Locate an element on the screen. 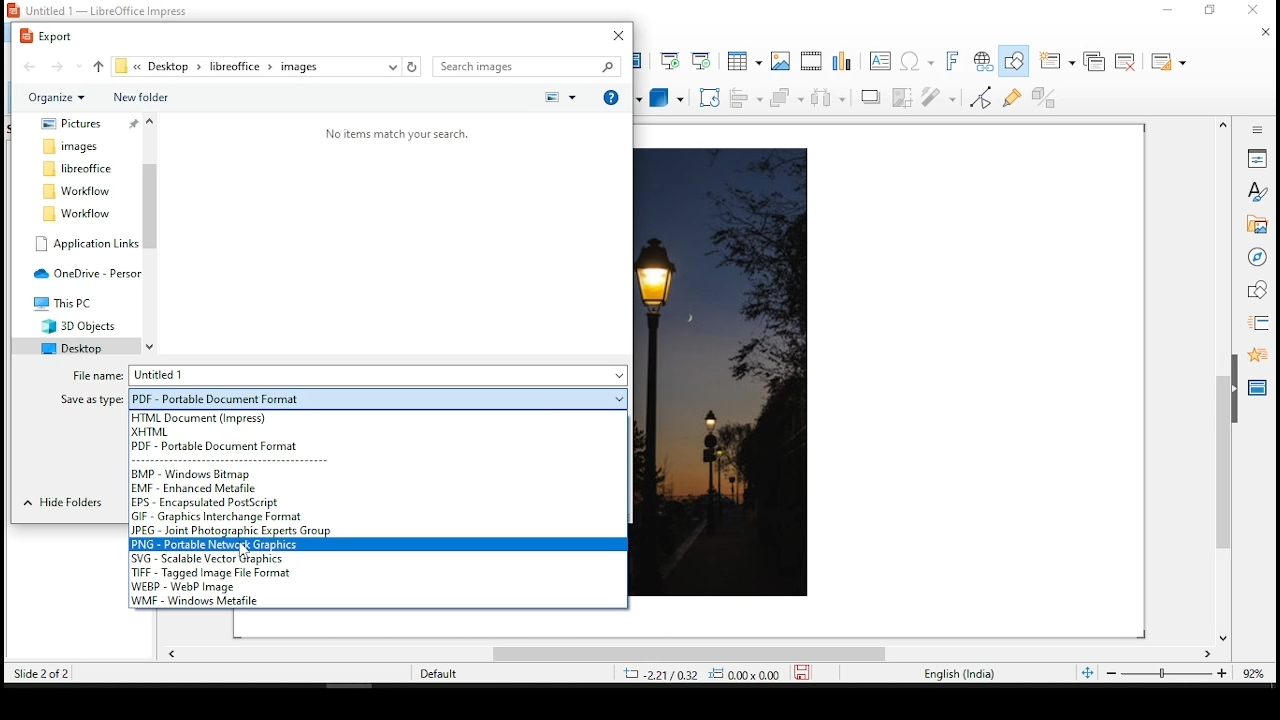 The width and height of the screenshot is (1280, 720). start from first slide is located at coordinates (670, 60).